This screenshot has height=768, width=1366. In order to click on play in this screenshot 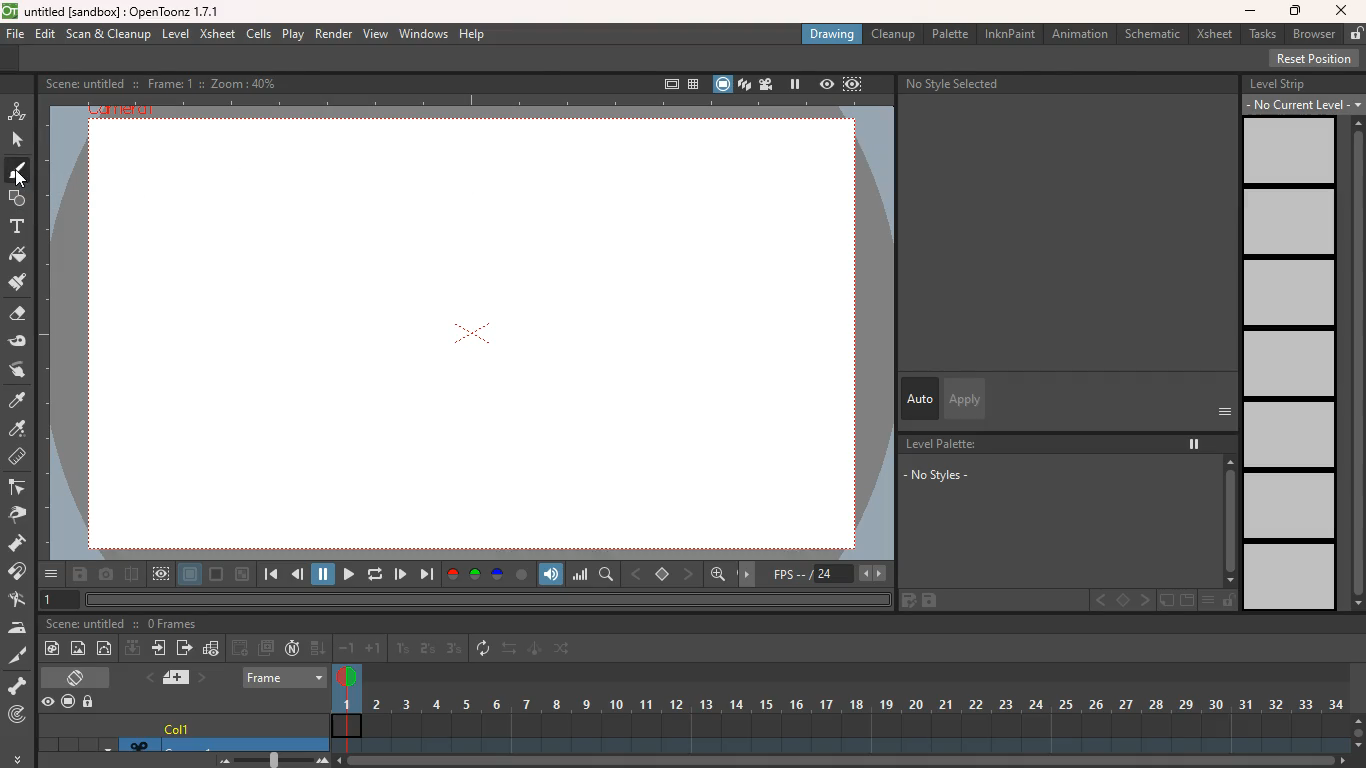, I will do `click(291, 35)`.